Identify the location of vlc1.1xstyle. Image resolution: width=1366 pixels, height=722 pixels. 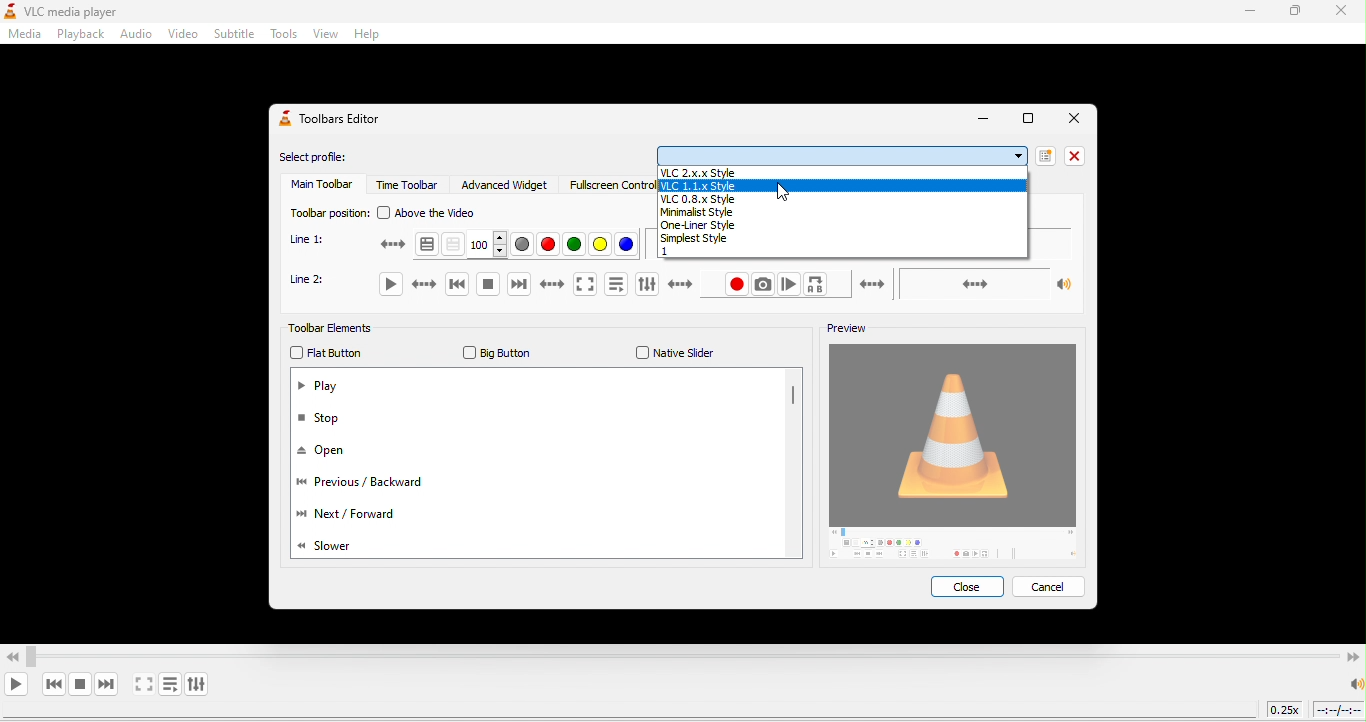
(847, 187).